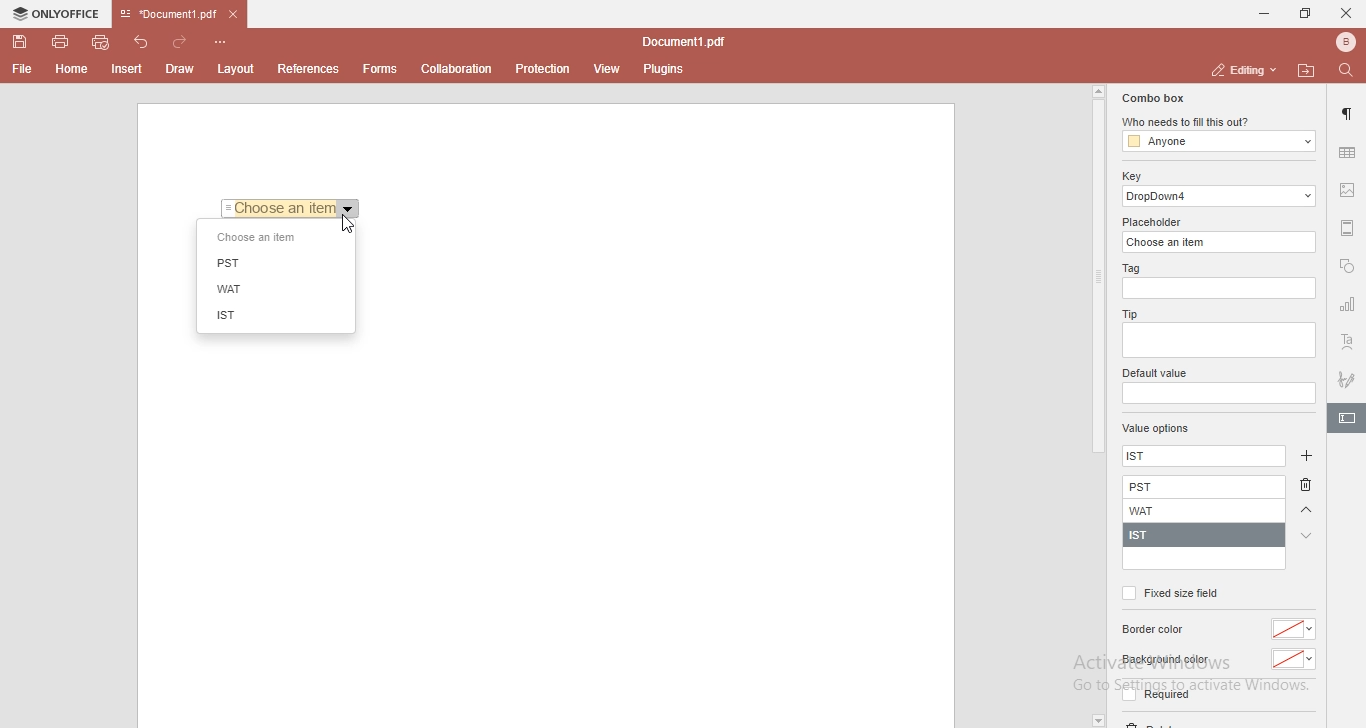  Describe the element at coordinates (380, 69) in the screenshot. I see `forms` at that location.